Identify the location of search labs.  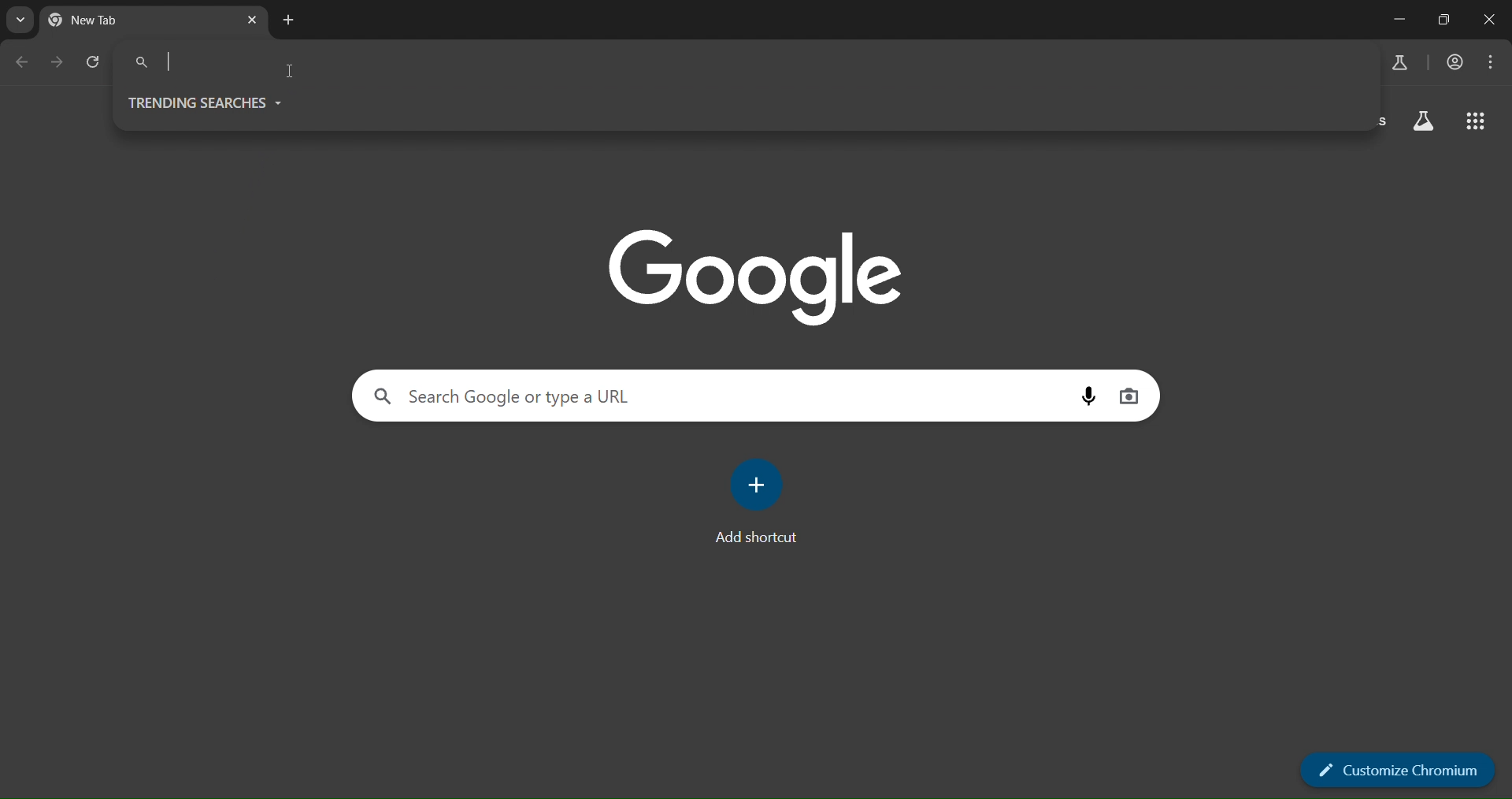
(1421, 121).